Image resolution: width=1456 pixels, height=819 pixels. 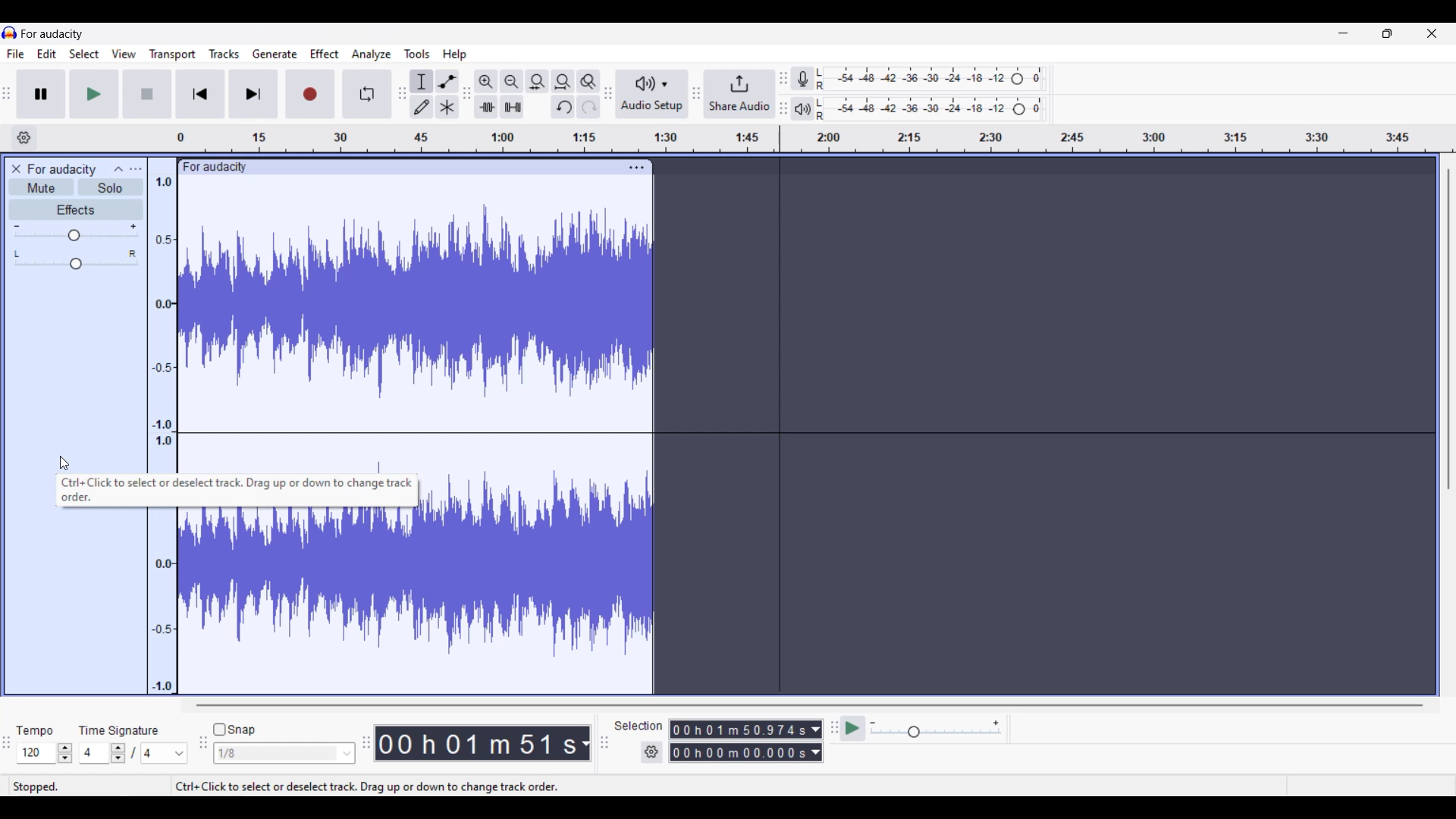 I want to click on Duration measurement options, so click(x=585, y=743).